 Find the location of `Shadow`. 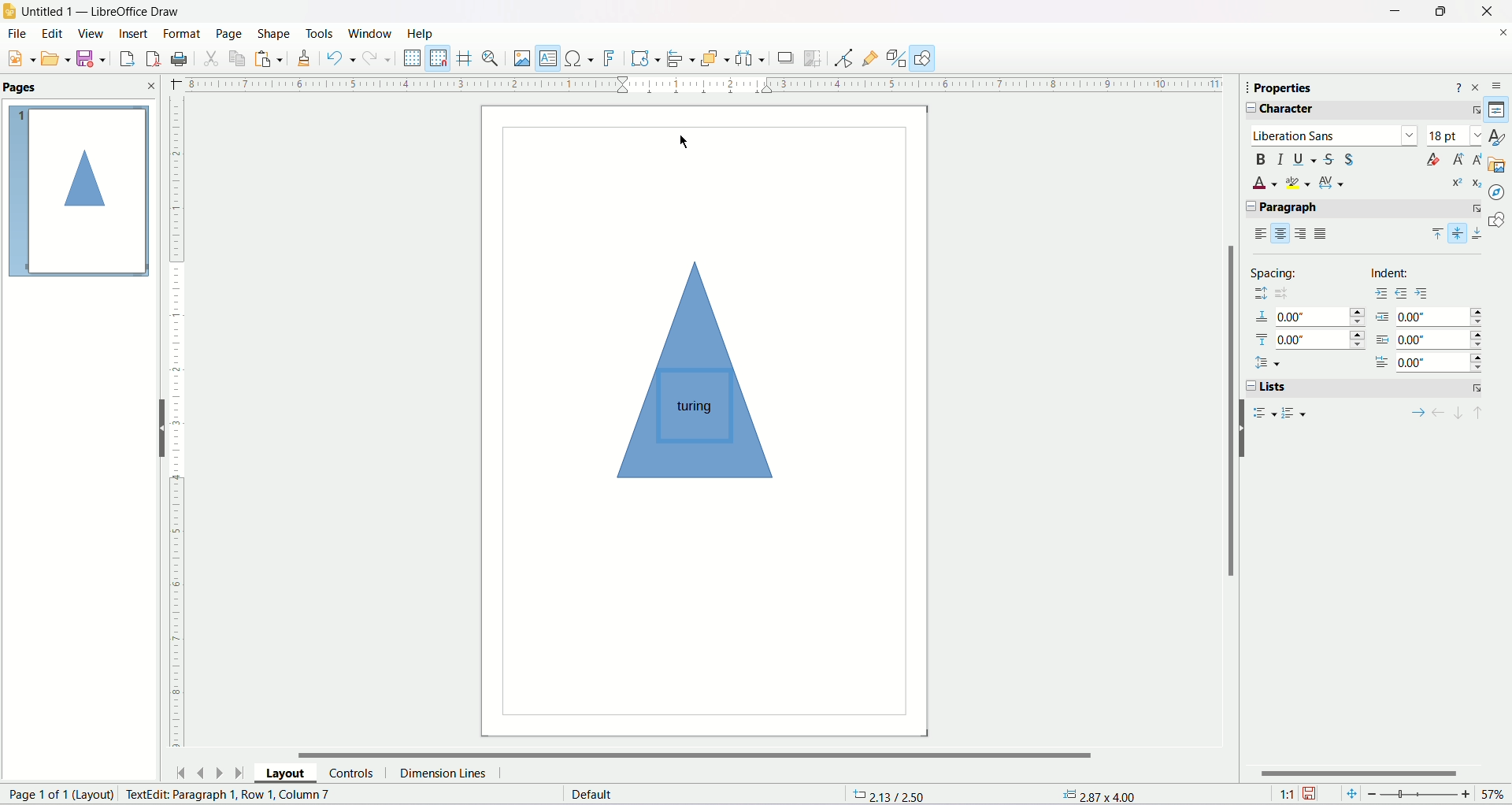

Shadow is located at coordinates (786, 59).